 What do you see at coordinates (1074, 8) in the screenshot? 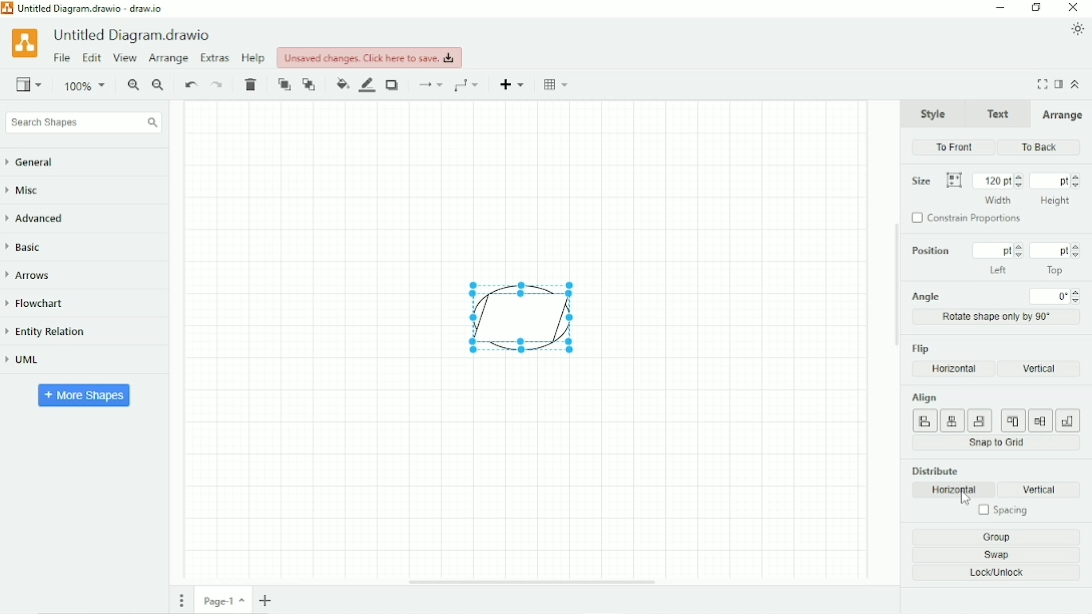
I see `Close` at bounding box center [1074, 8].